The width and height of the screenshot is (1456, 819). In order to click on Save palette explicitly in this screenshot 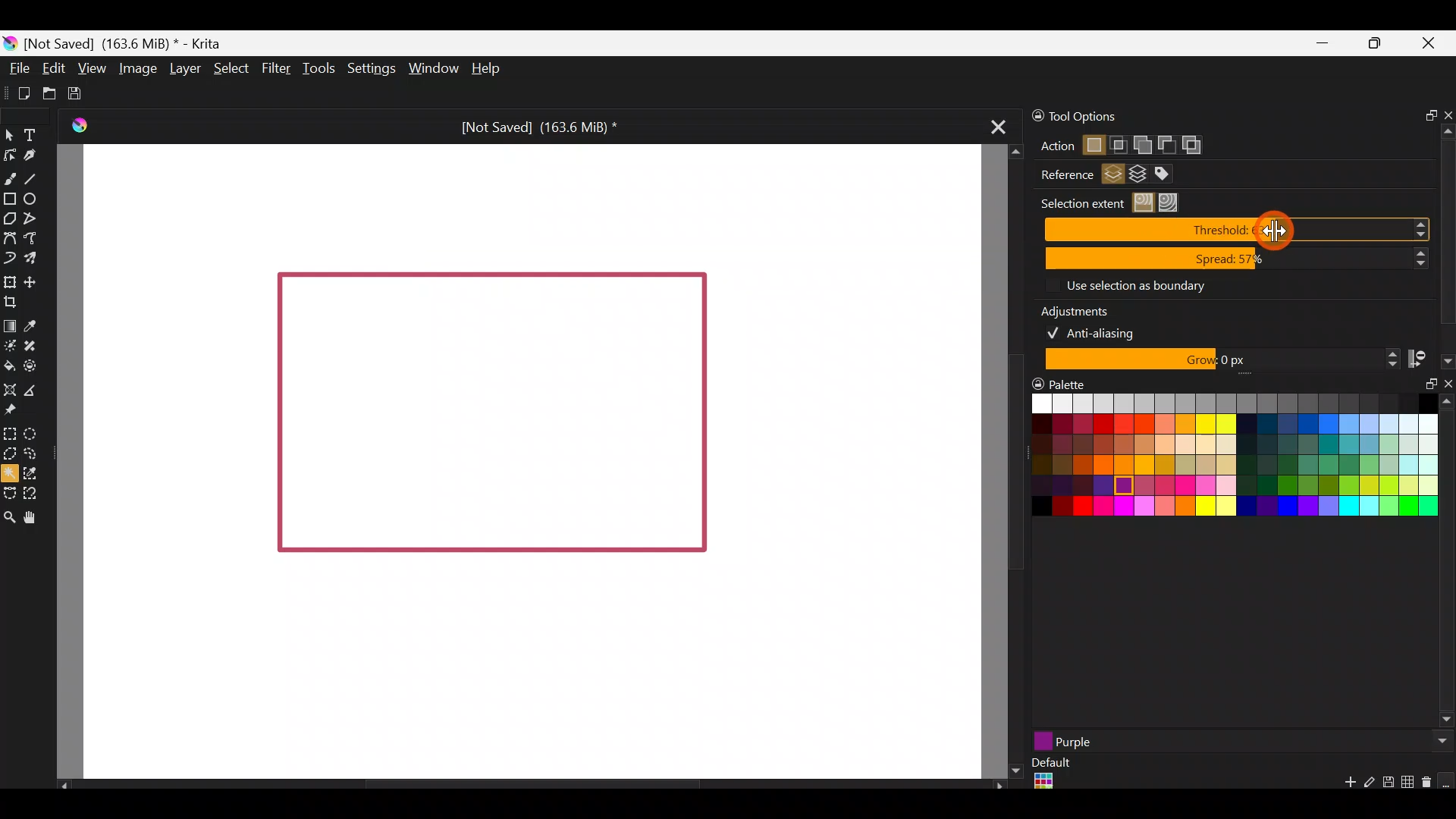, I will do `click(1387, 783)`.